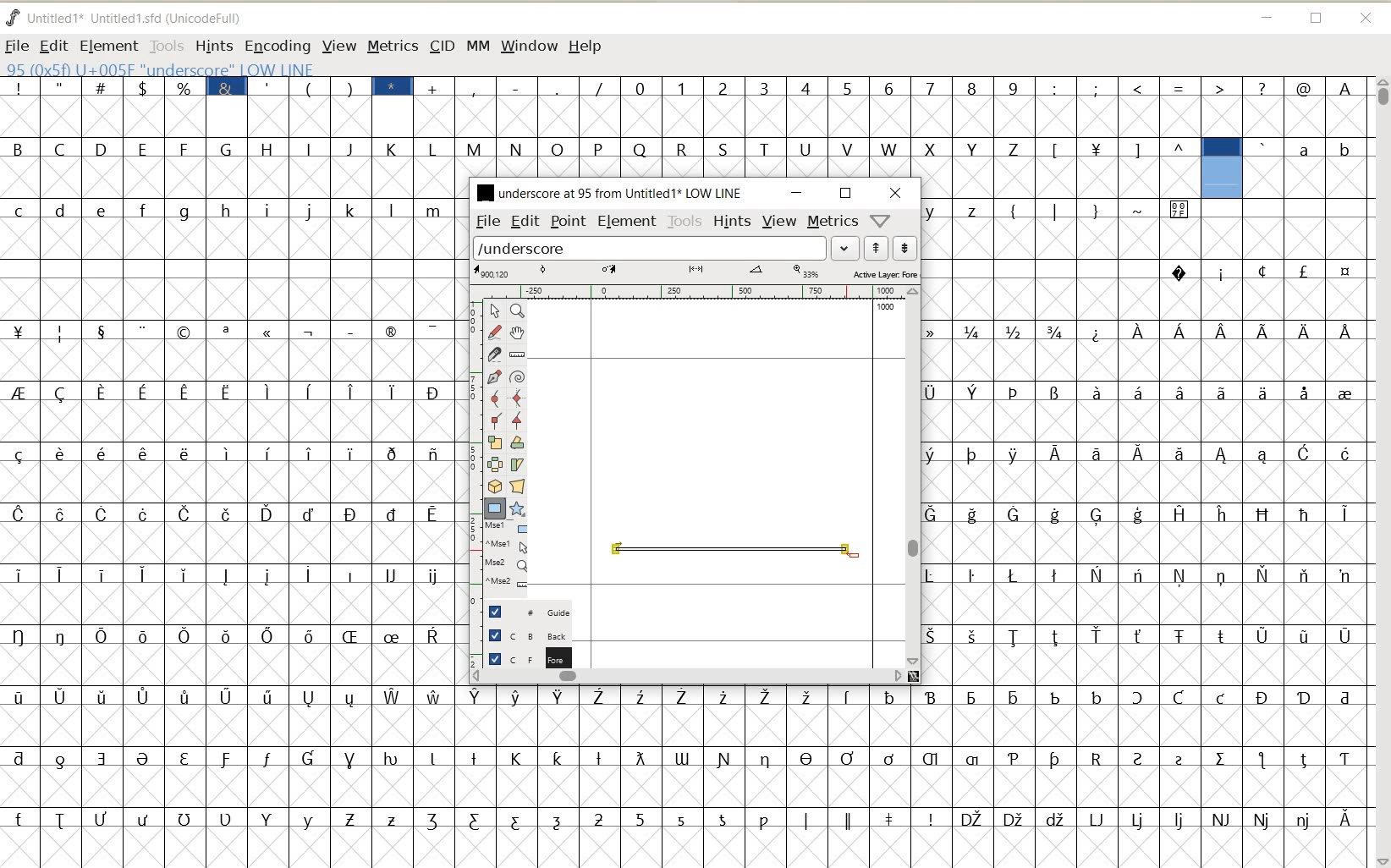 The image size is (1391, 868). Describe the element at coordinates (519, 332) in the screenshot. I see `scroll by hand` at that location.